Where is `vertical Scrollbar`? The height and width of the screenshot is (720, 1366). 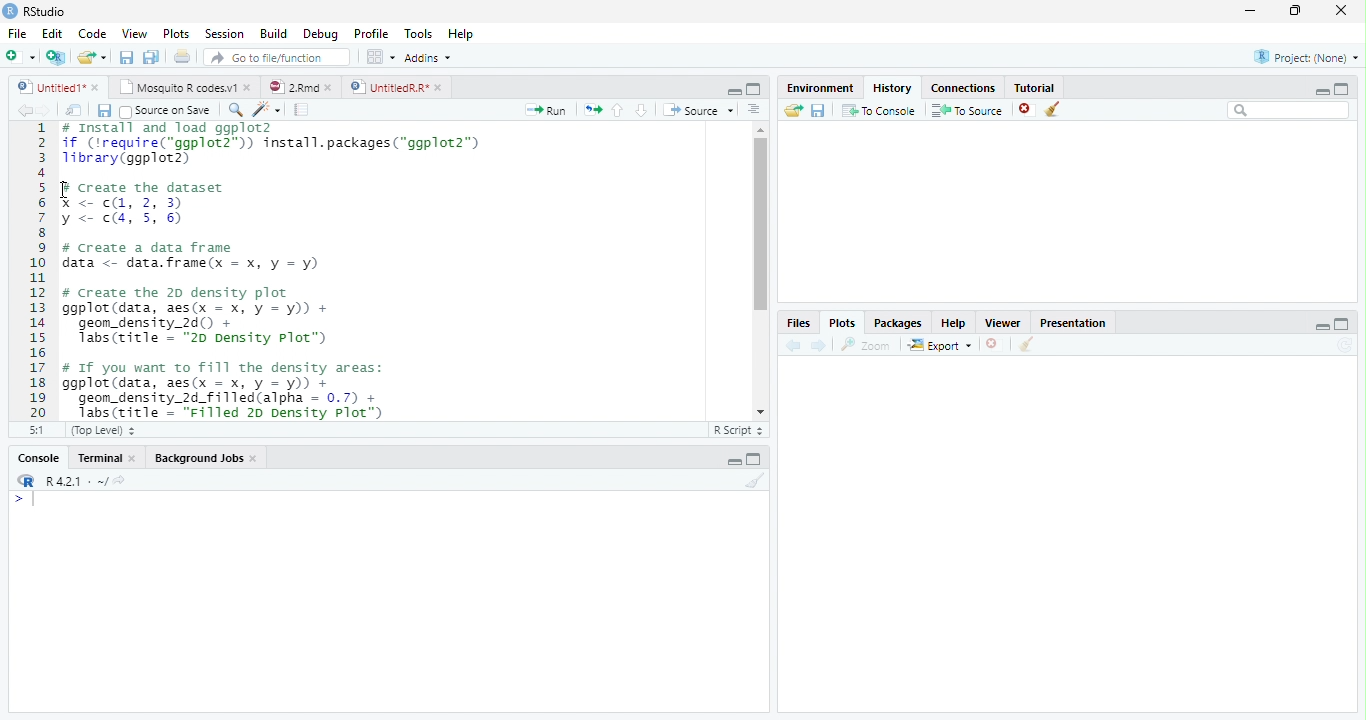 vertical Scrollbar is located at coordinates (758, 225).